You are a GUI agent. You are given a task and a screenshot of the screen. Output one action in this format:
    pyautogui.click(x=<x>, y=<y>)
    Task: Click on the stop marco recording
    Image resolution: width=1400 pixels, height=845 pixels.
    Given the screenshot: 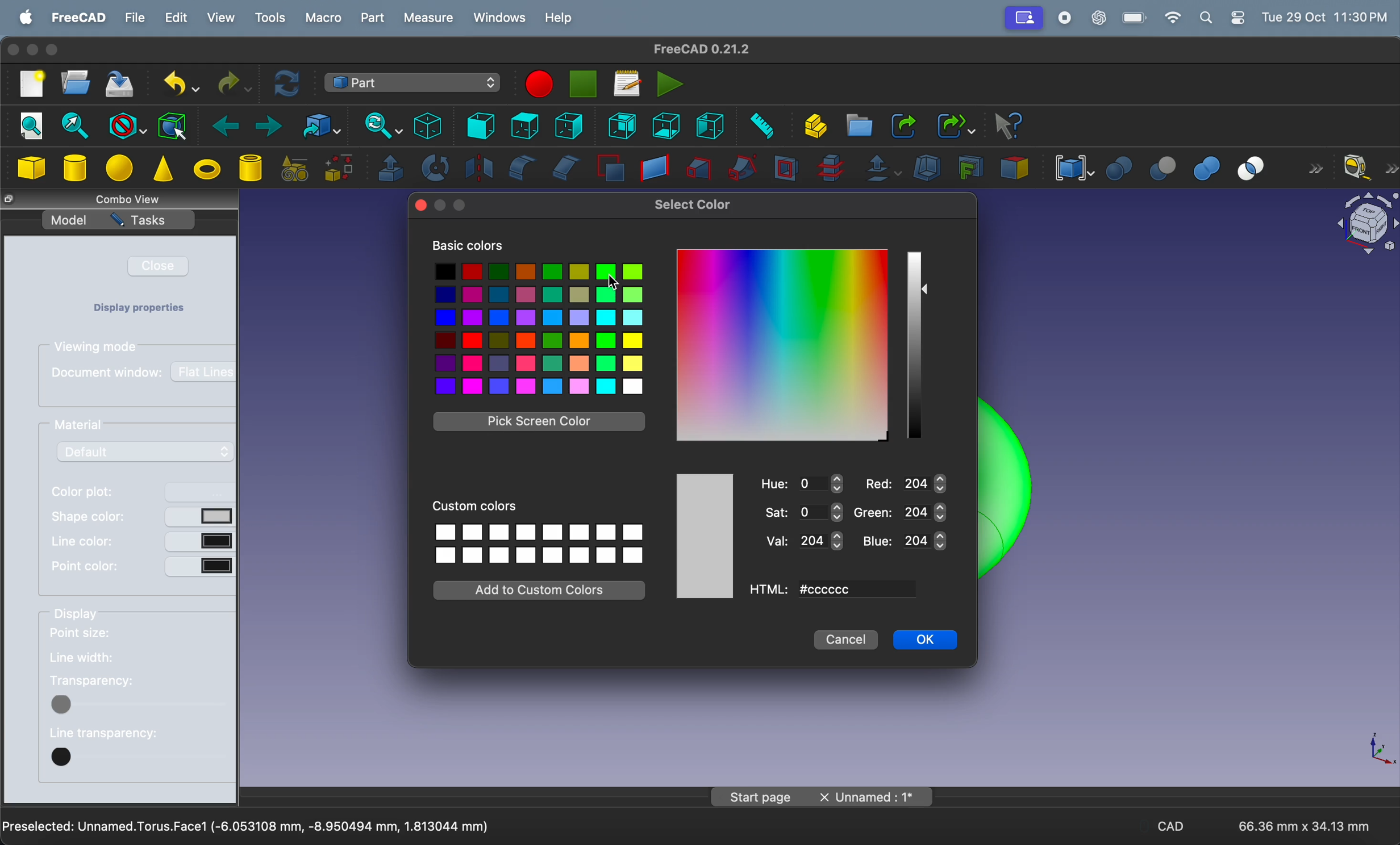 What is the action you would take?
    pyautogui.click(x=584, y=84)
    